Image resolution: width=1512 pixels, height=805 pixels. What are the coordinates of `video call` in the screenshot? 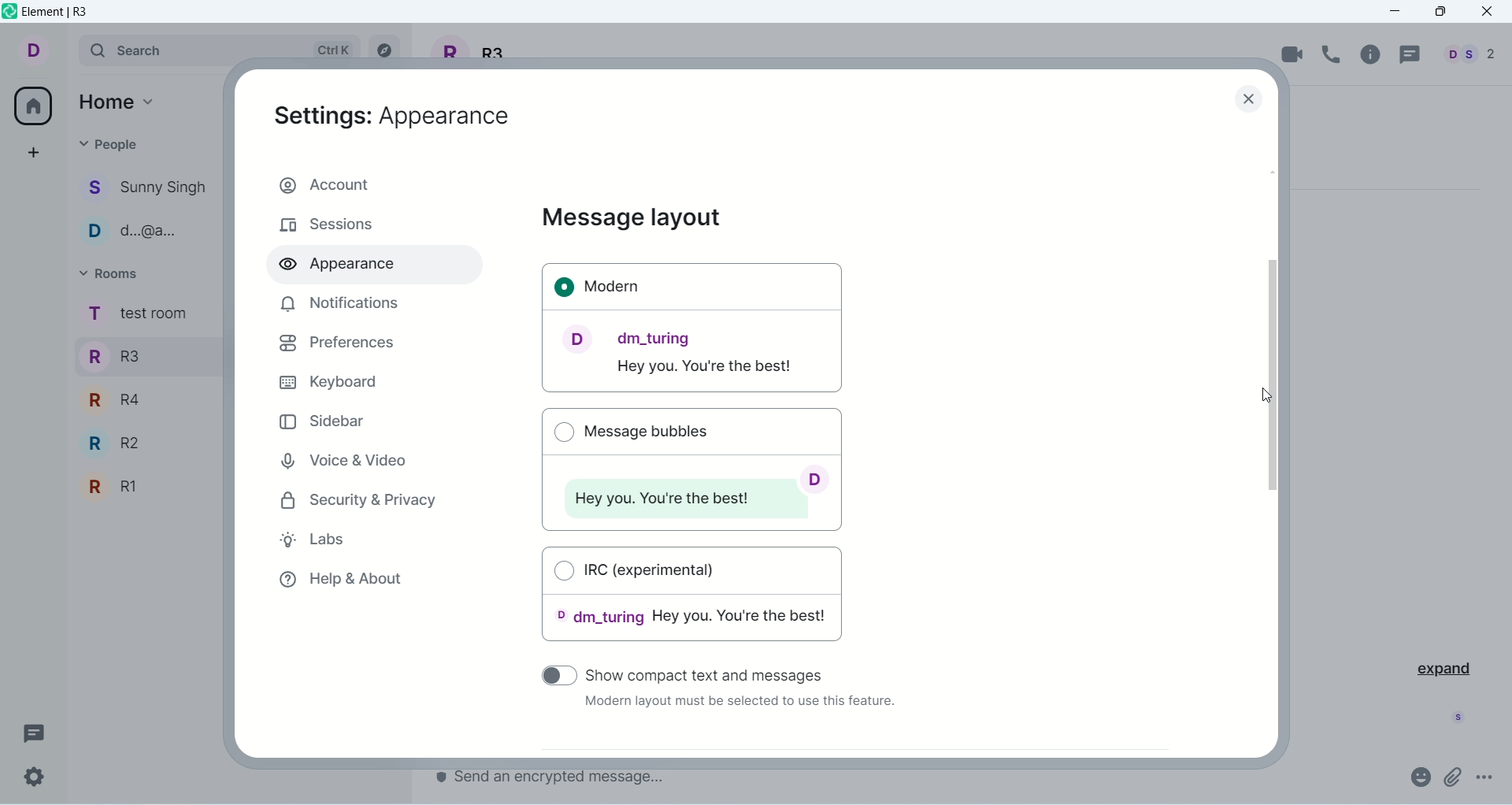 It's located at (1293, 54).